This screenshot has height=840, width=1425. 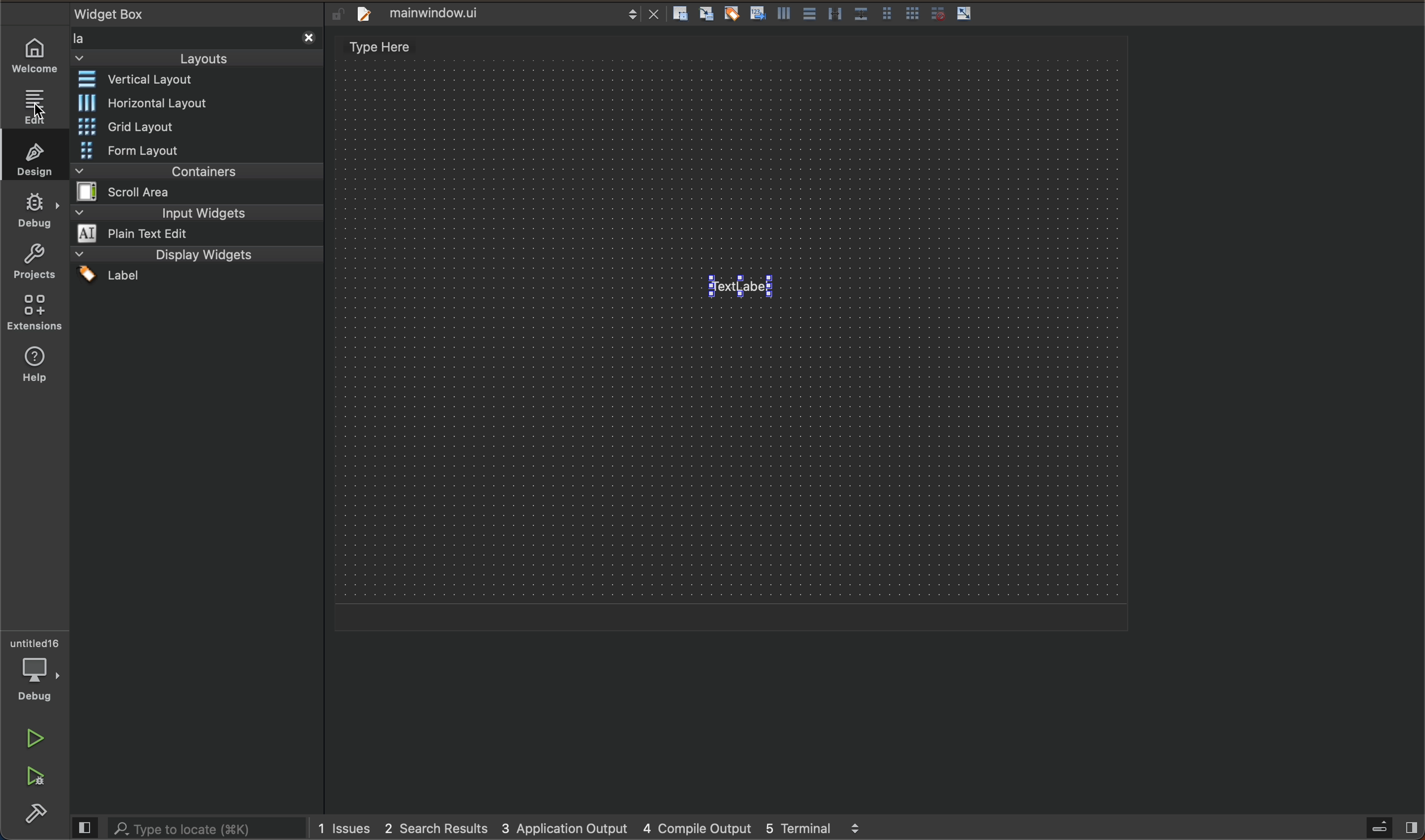 What do you see at coordinates (149, 104) in the screenshot?
I see `horizontal layout` at bounding box center [149, 104].